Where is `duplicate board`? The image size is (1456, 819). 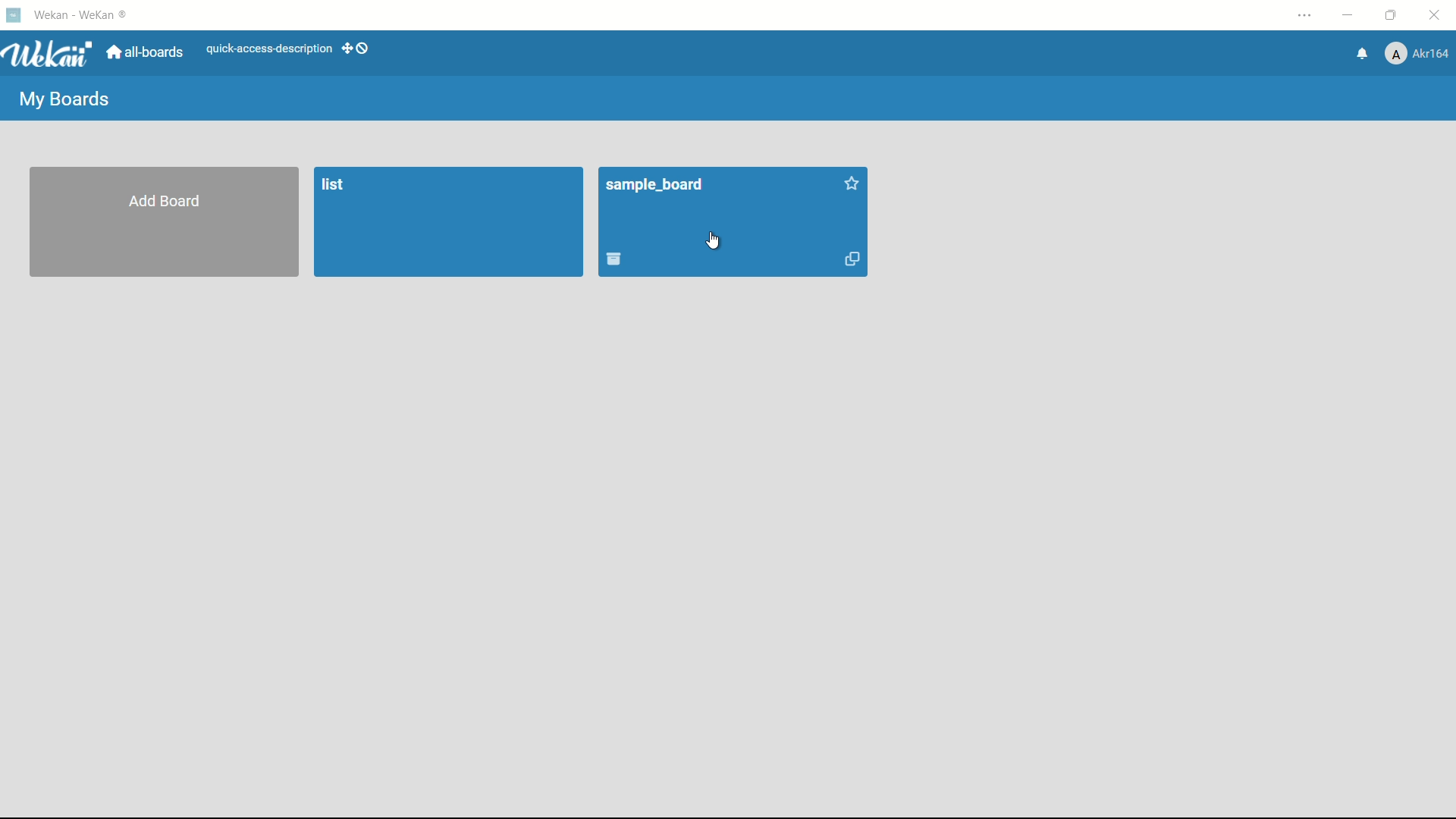
duplicate board is located at coordinates (849, 261).